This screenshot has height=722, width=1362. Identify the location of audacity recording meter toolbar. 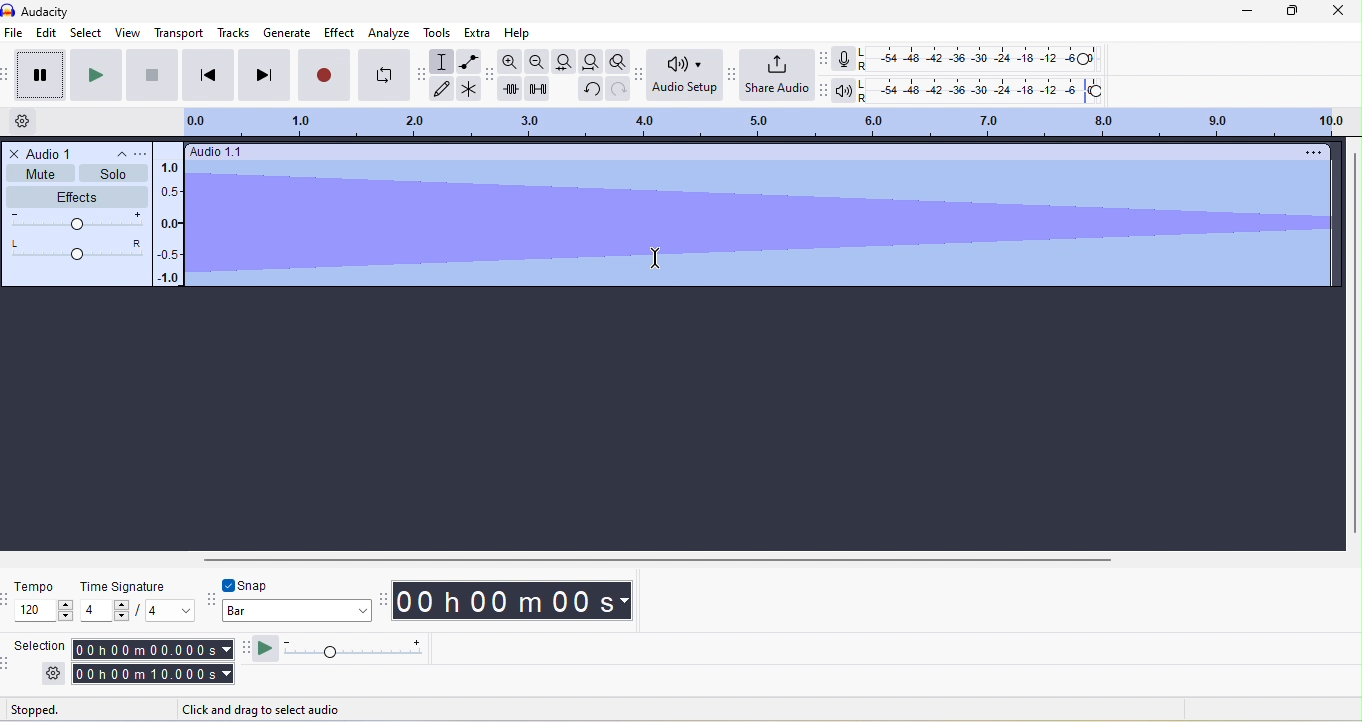
(827, 58).